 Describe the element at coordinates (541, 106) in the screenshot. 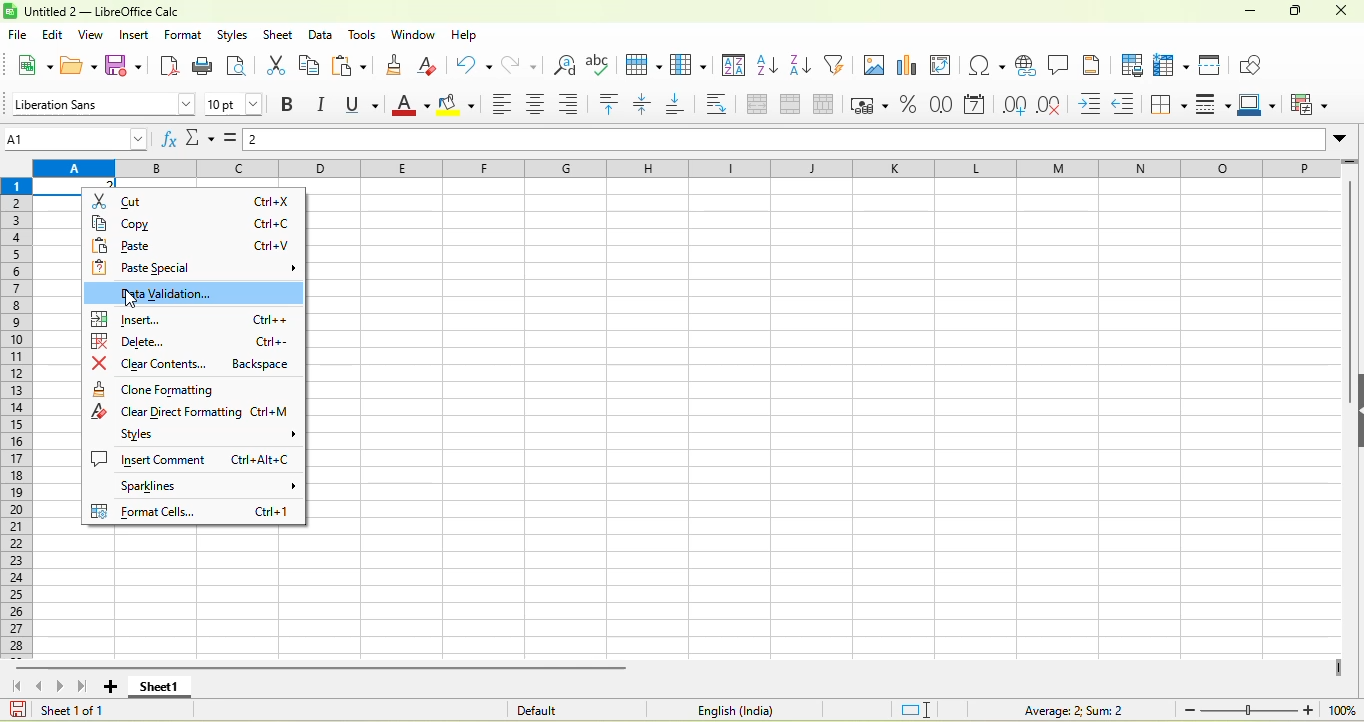

I see `align center` at that location.